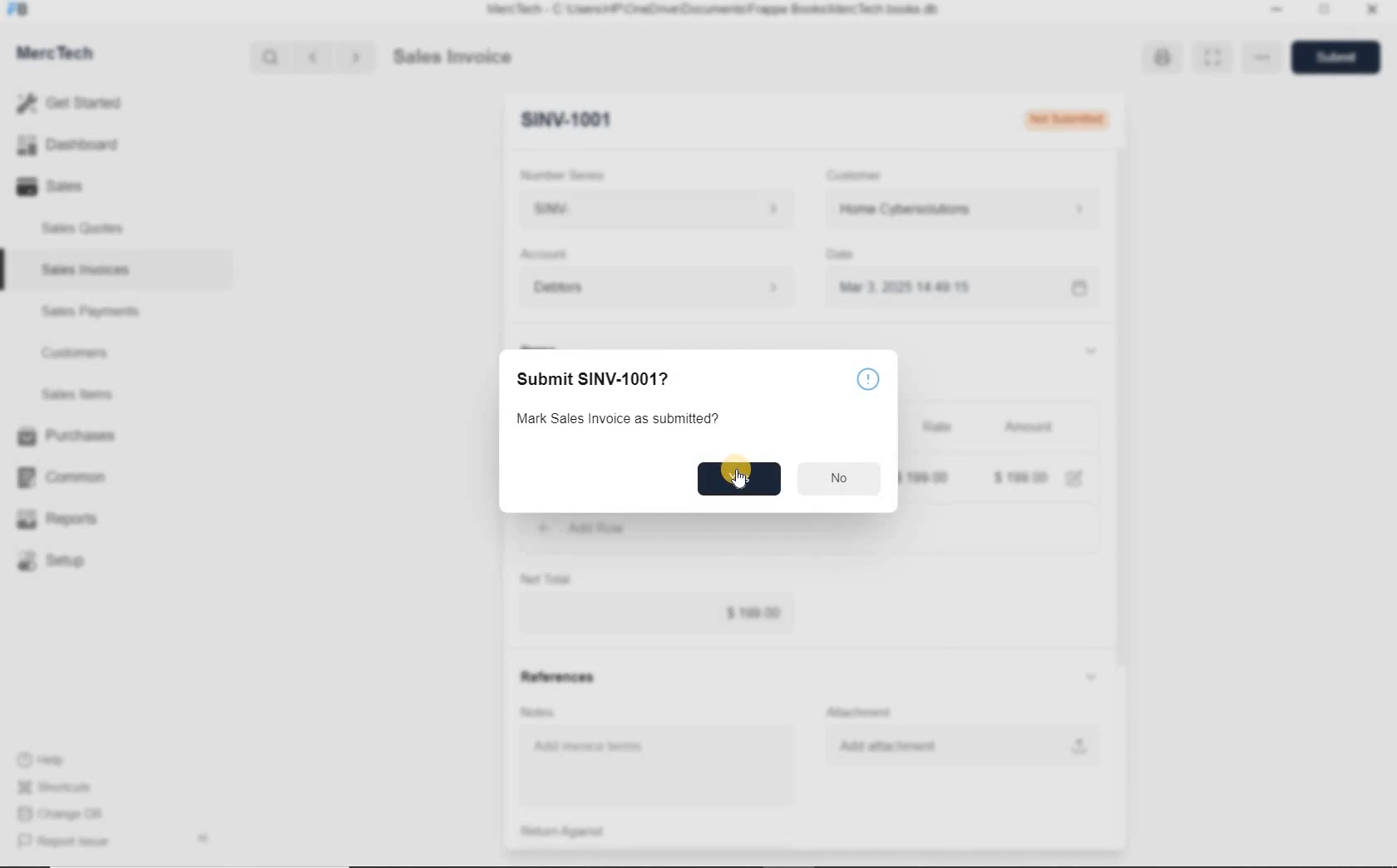  What do you see at coordinates (638, 379) in the screenshot?
I see `submit SINV-1001?` at bounding box center [638, 379].